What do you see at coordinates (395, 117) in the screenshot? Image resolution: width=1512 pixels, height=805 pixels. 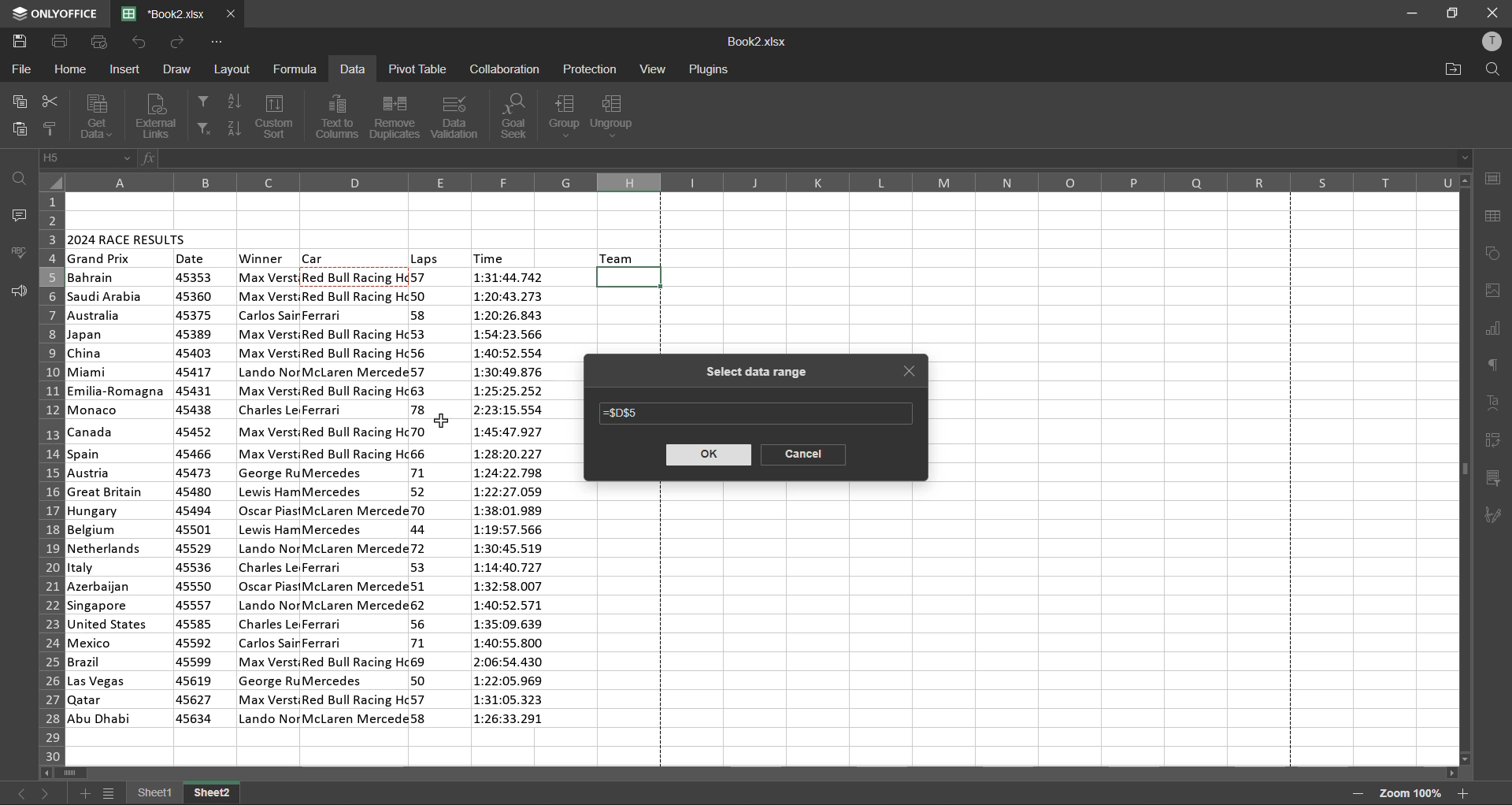 I see `remove duplicates` at bounding box center [395, 117].